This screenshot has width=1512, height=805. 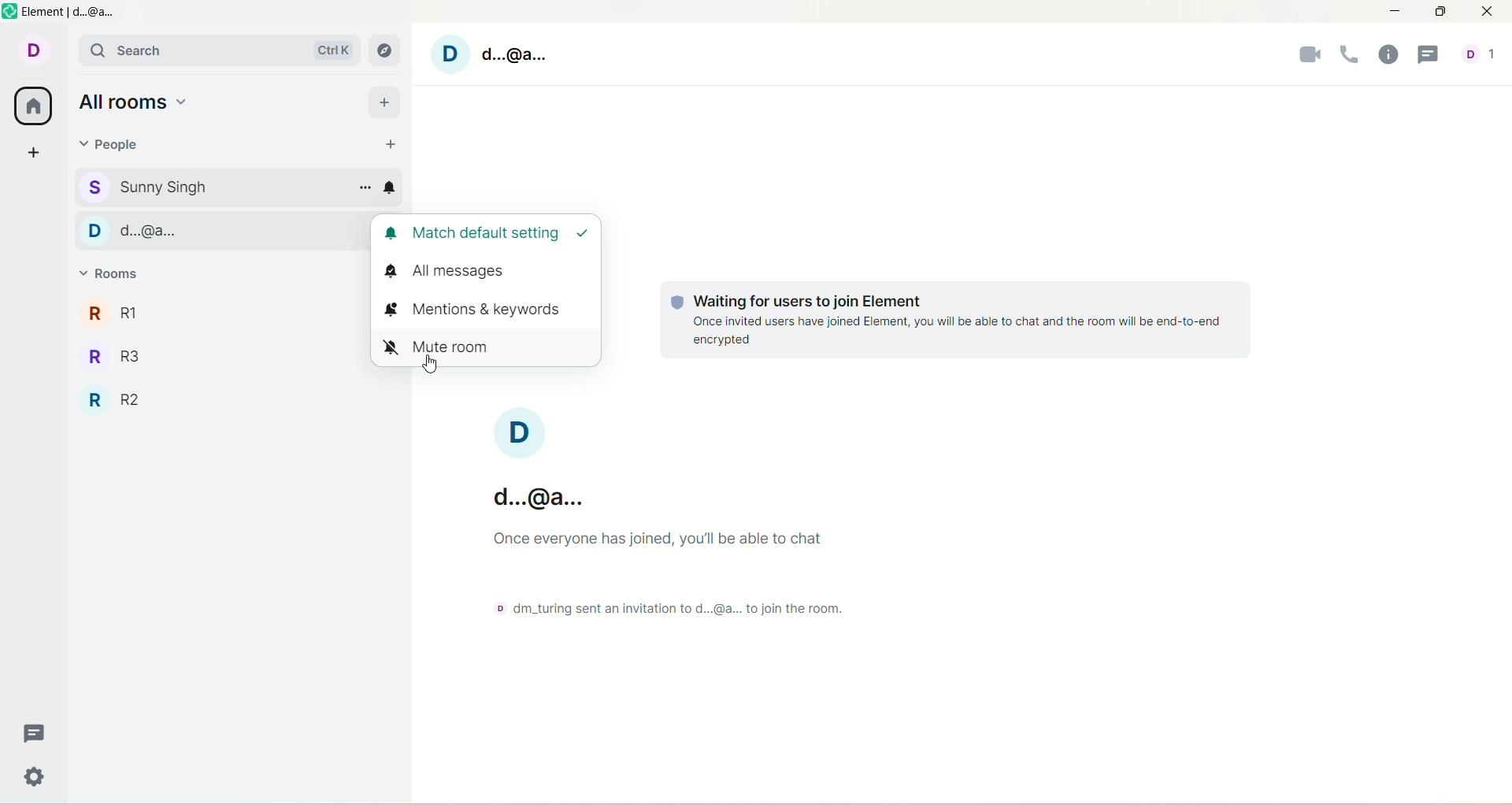 I want to click on minimize, so click(x=1393, y=13).